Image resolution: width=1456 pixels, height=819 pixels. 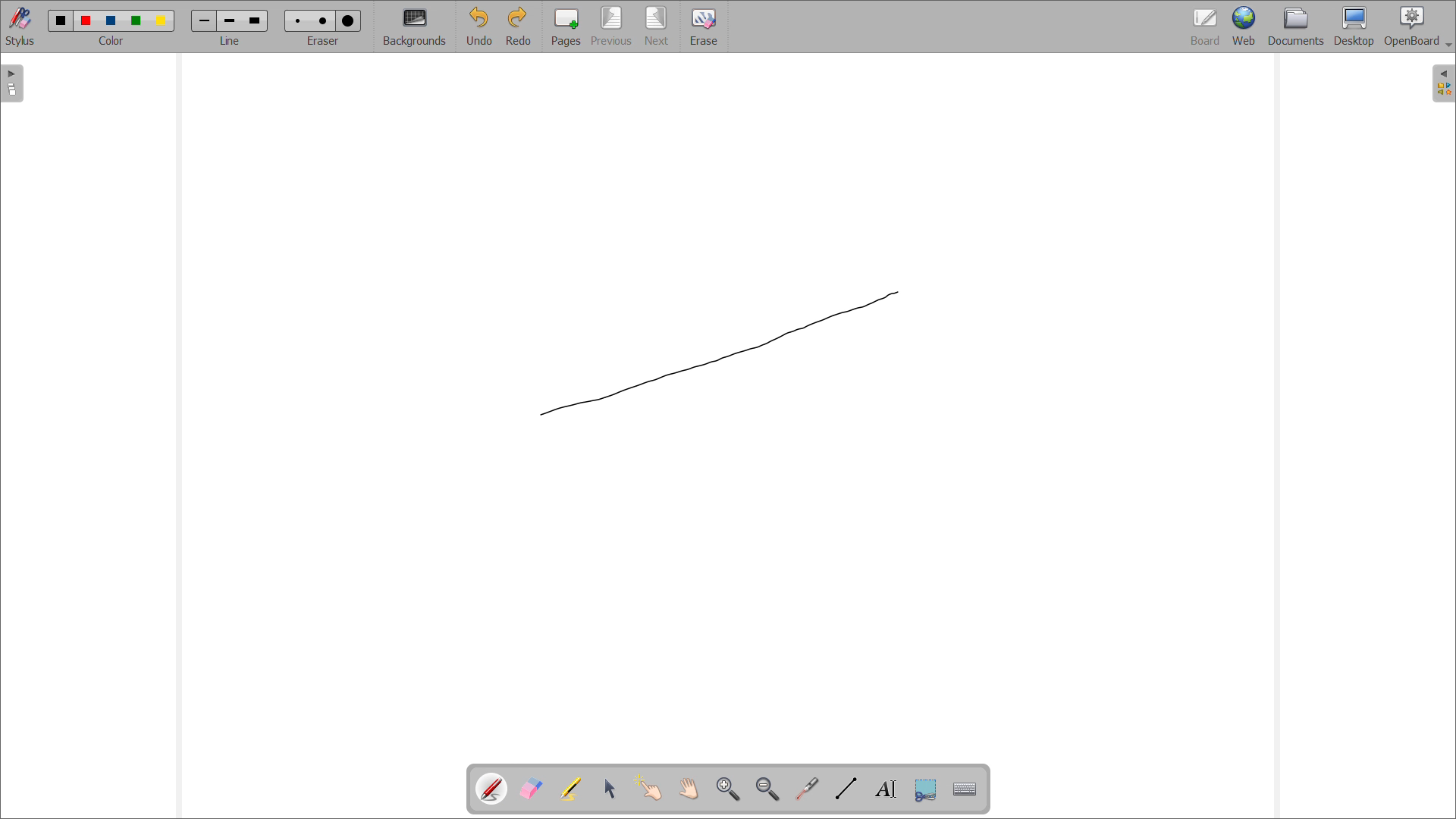 What do you see at coordinates (612, 26) in the screenshot?
I see `previous page` at bounding box center [612, 26].